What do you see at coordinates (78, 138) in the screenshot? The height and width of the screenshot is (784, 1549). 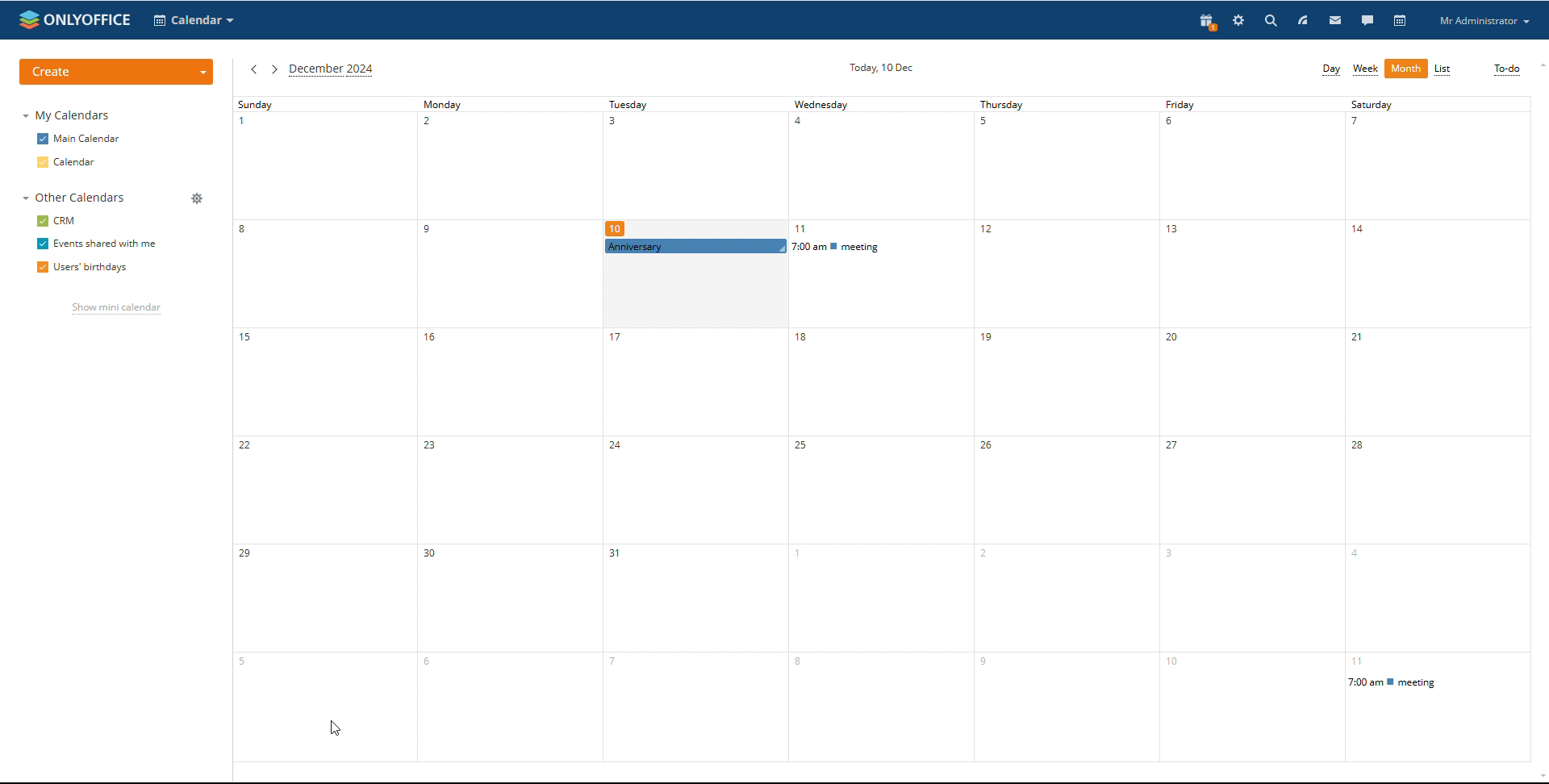 I see `main calendars` at bounding box center [78, 138].